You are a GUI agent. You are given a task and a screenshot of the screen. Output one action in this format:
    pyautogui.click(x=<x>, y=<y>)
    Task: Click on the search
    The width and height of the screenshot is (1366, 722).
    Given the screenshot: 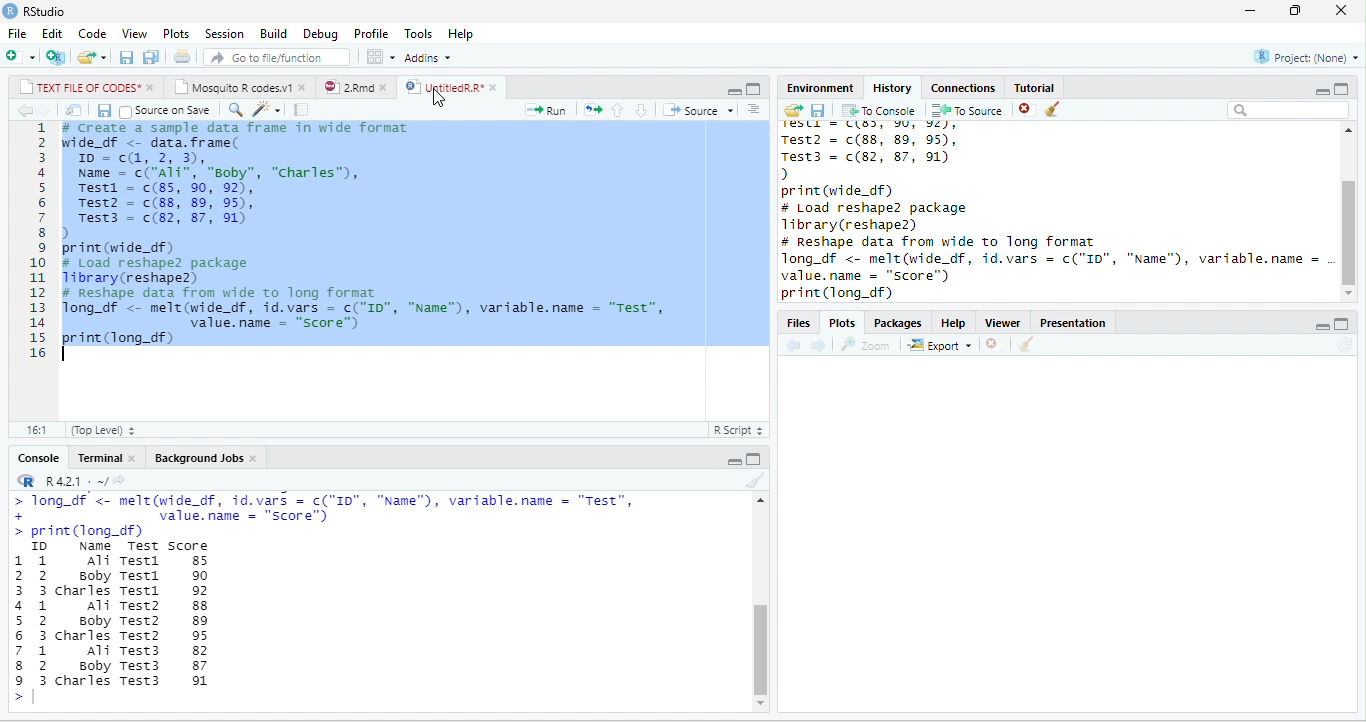 What is the action you would take?
    pyautogui.click(x=235, y=110)
    